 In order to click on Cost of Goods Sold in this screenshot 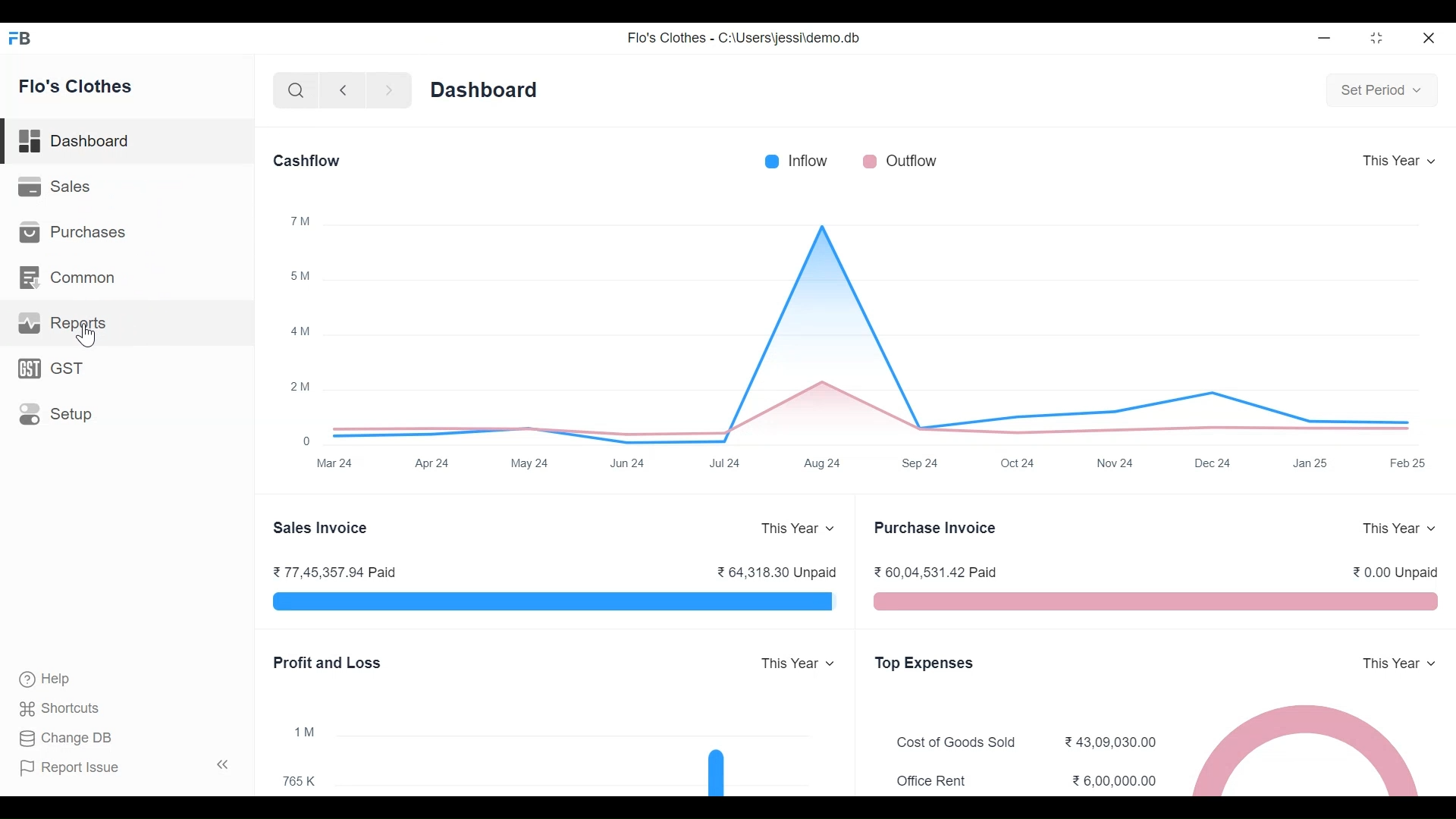, I will do `click(960, 742)`.